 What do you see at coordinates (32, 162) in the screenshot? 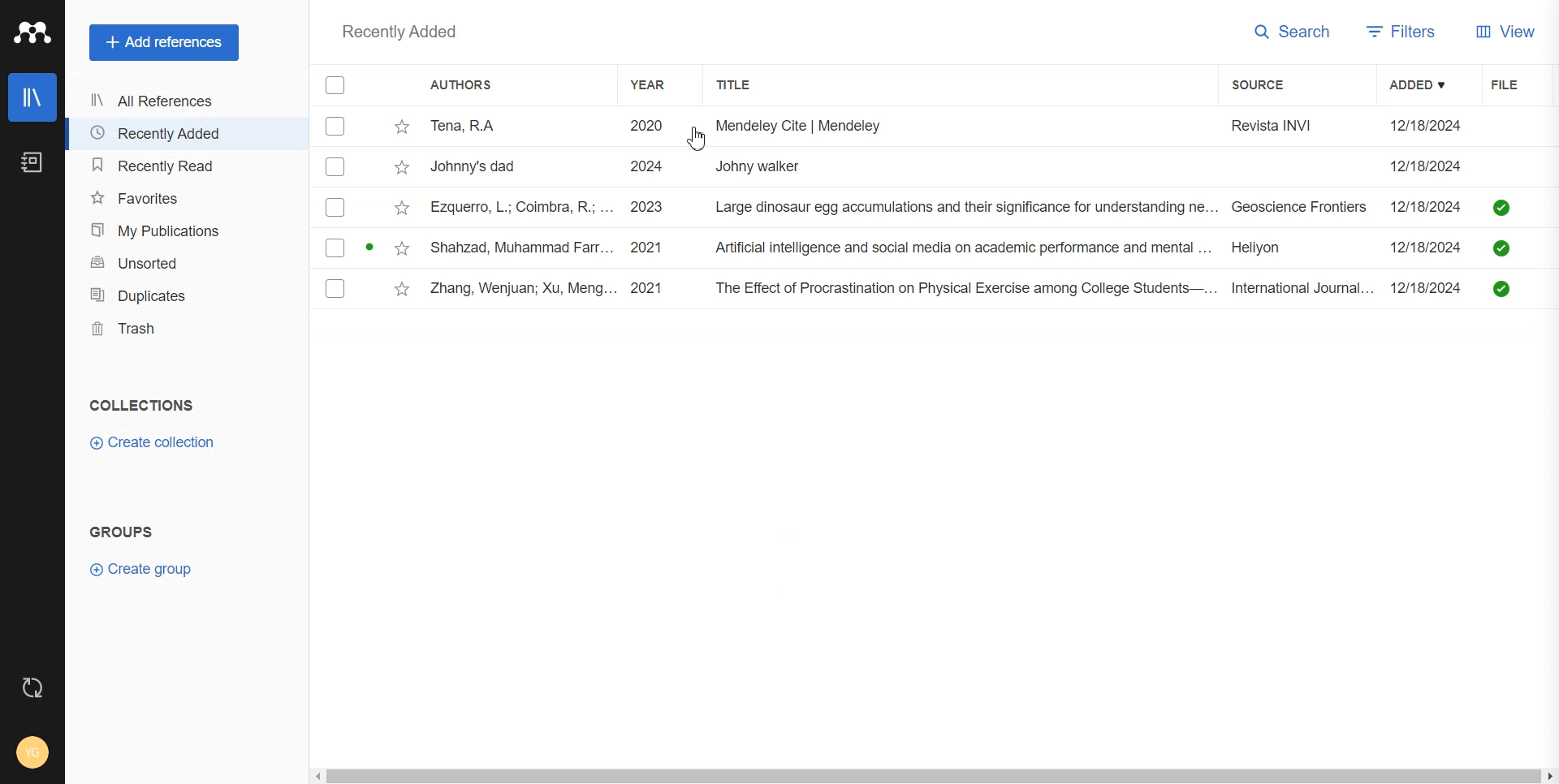
I see `Notebook` at bounding box center [32, 162].